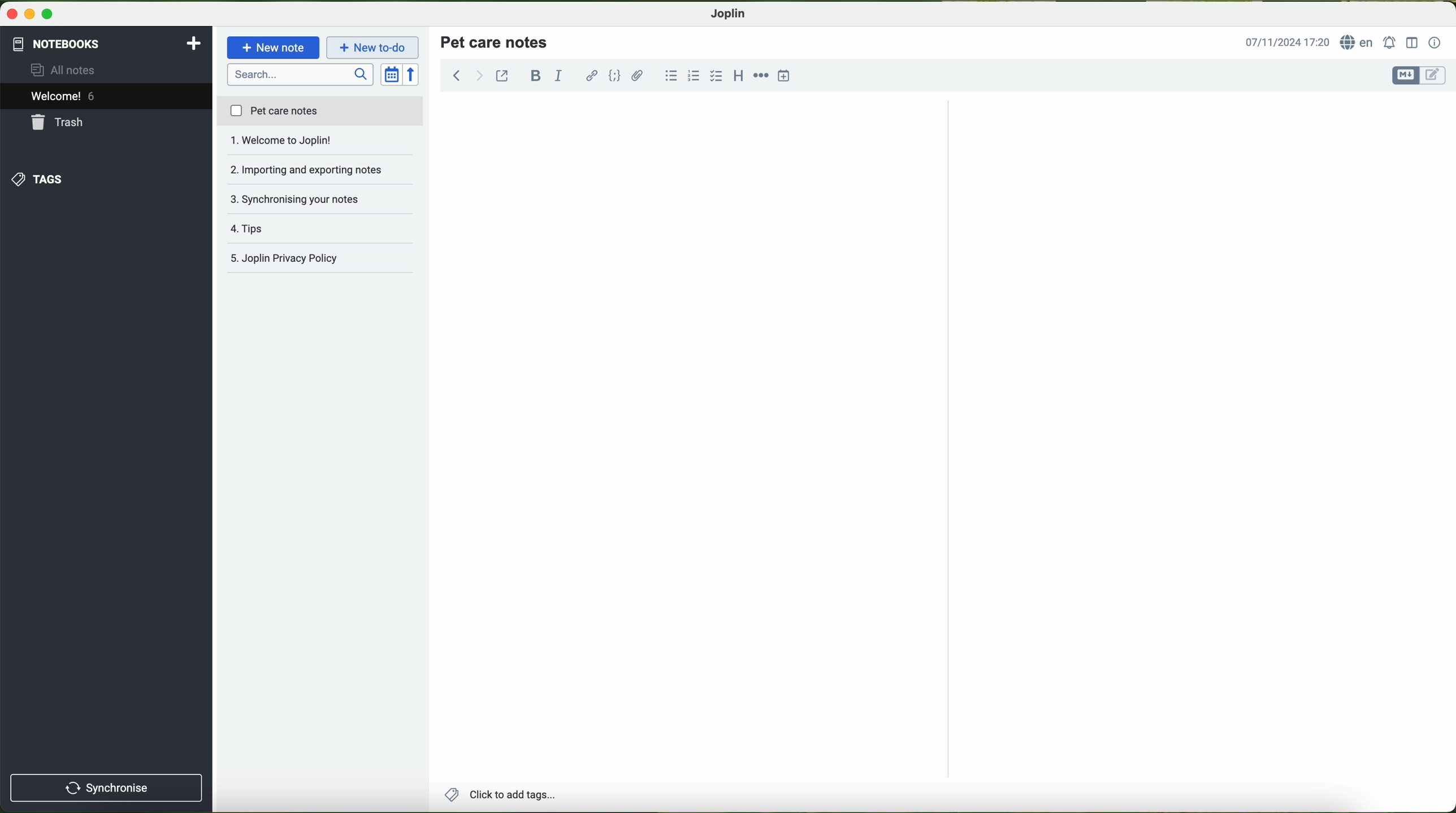 This screenshot has width=1456, height=813. What do you see at coordinates (321, 229) in the screenshot?
I see `Joplin privacy policy` at bounding box center [321, 229].